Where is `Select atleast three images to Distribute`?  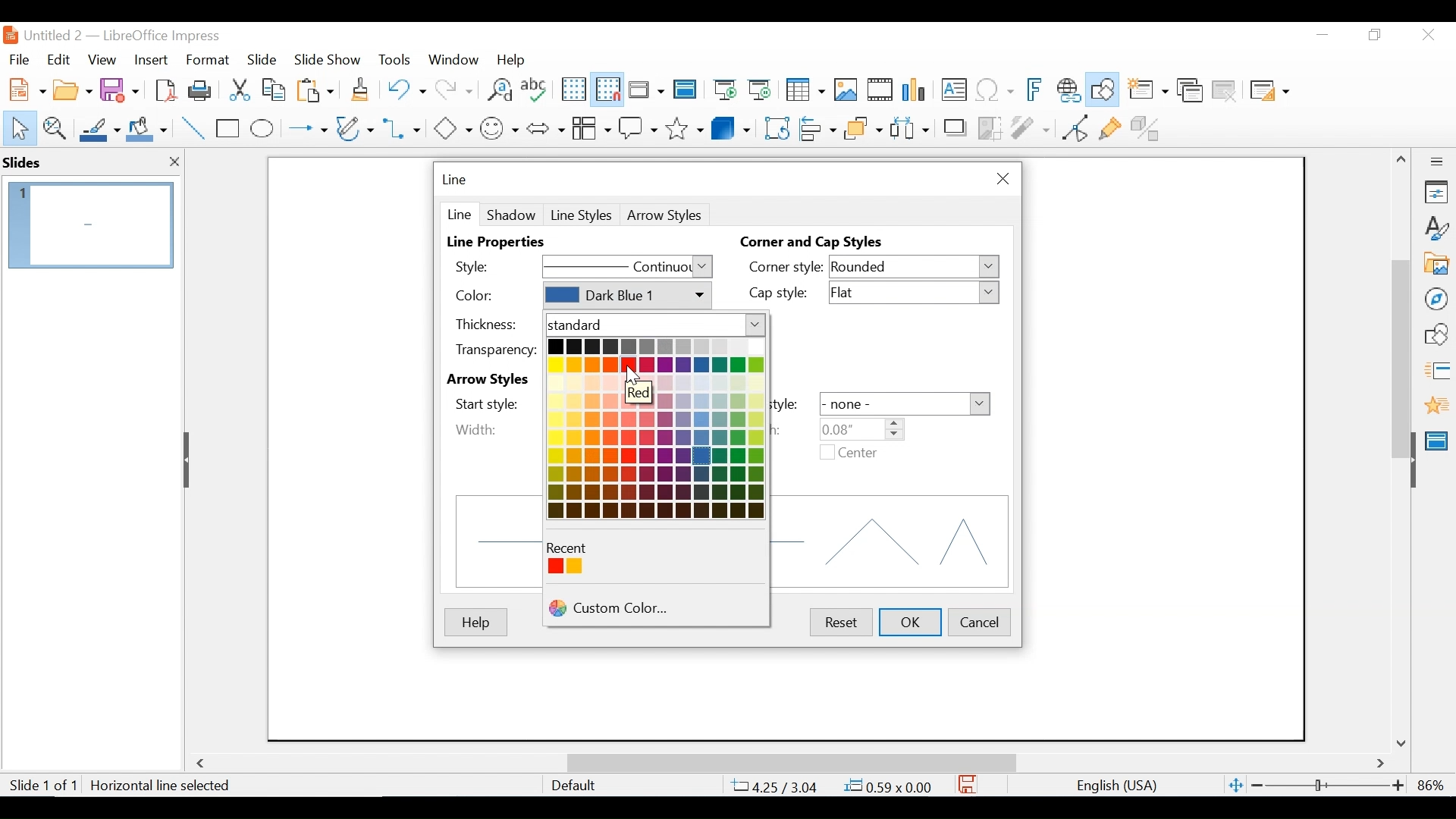 Select atleast three images to Distribute is located at coordinates (909, 127).